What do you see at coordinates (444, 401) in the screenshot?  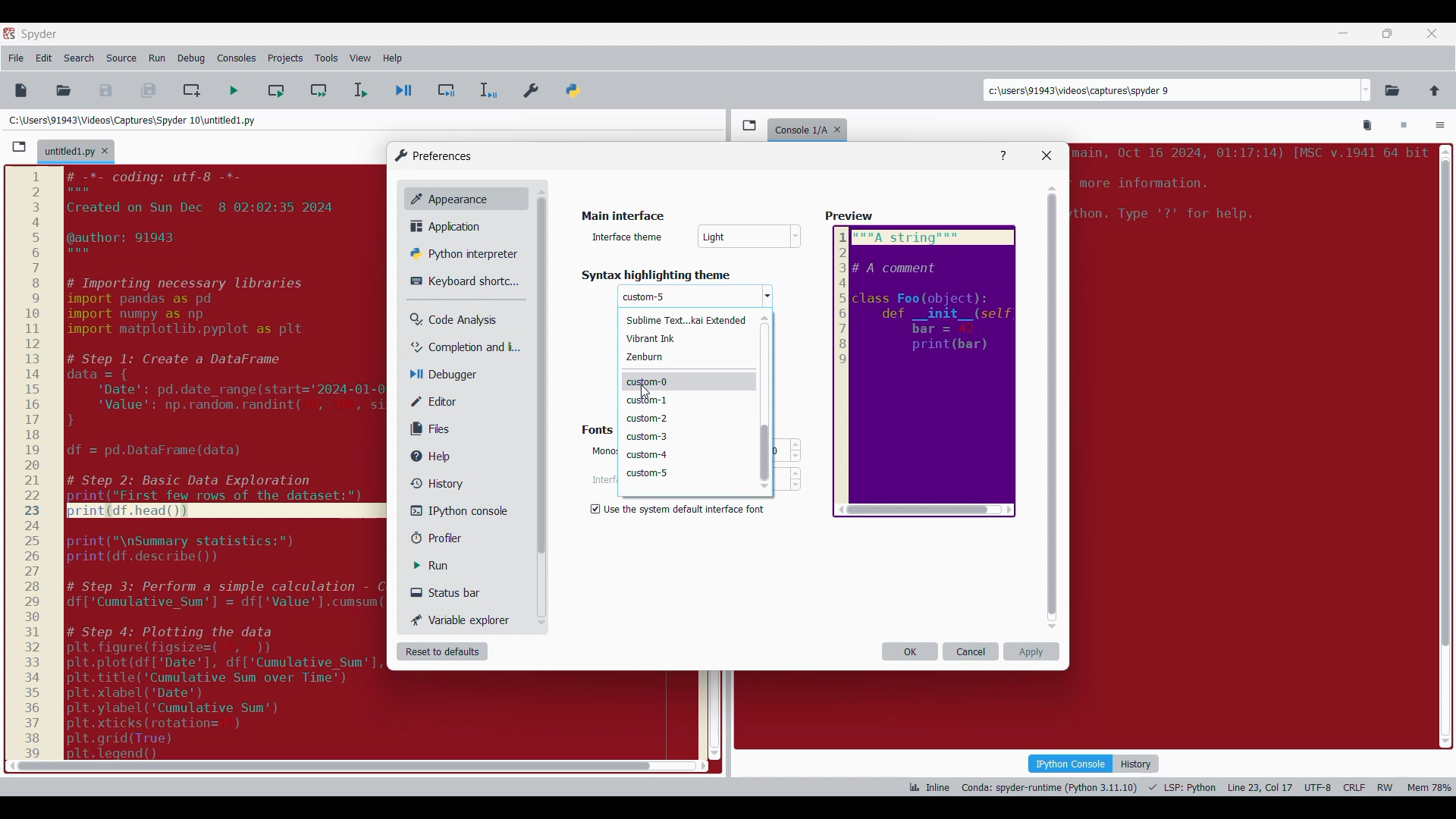 I see `Editor` at bounding box center [444, 401].